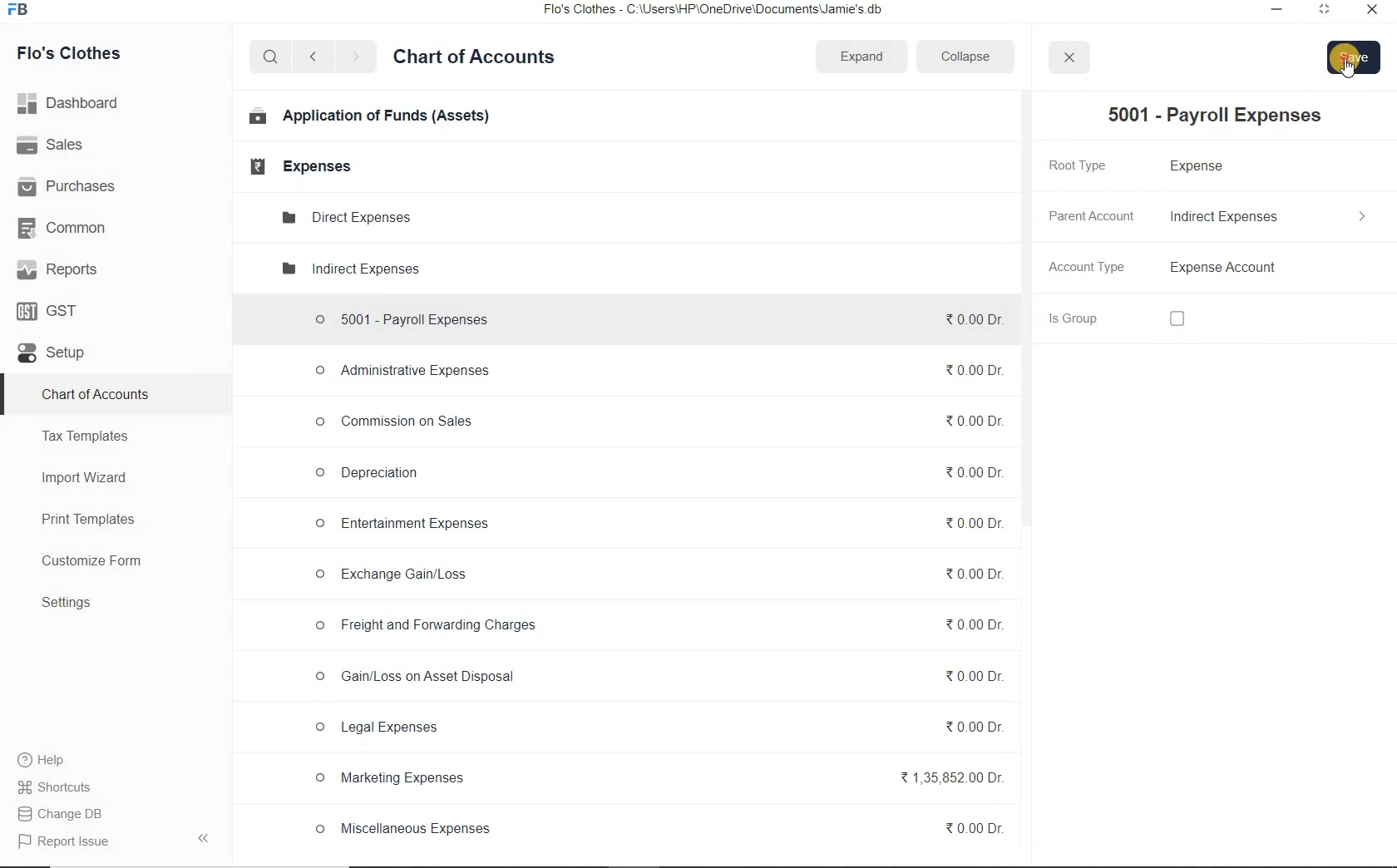 The height and width of the screenshot is (868, 1397). I want to click on Tax Templates, so click(86, 436).